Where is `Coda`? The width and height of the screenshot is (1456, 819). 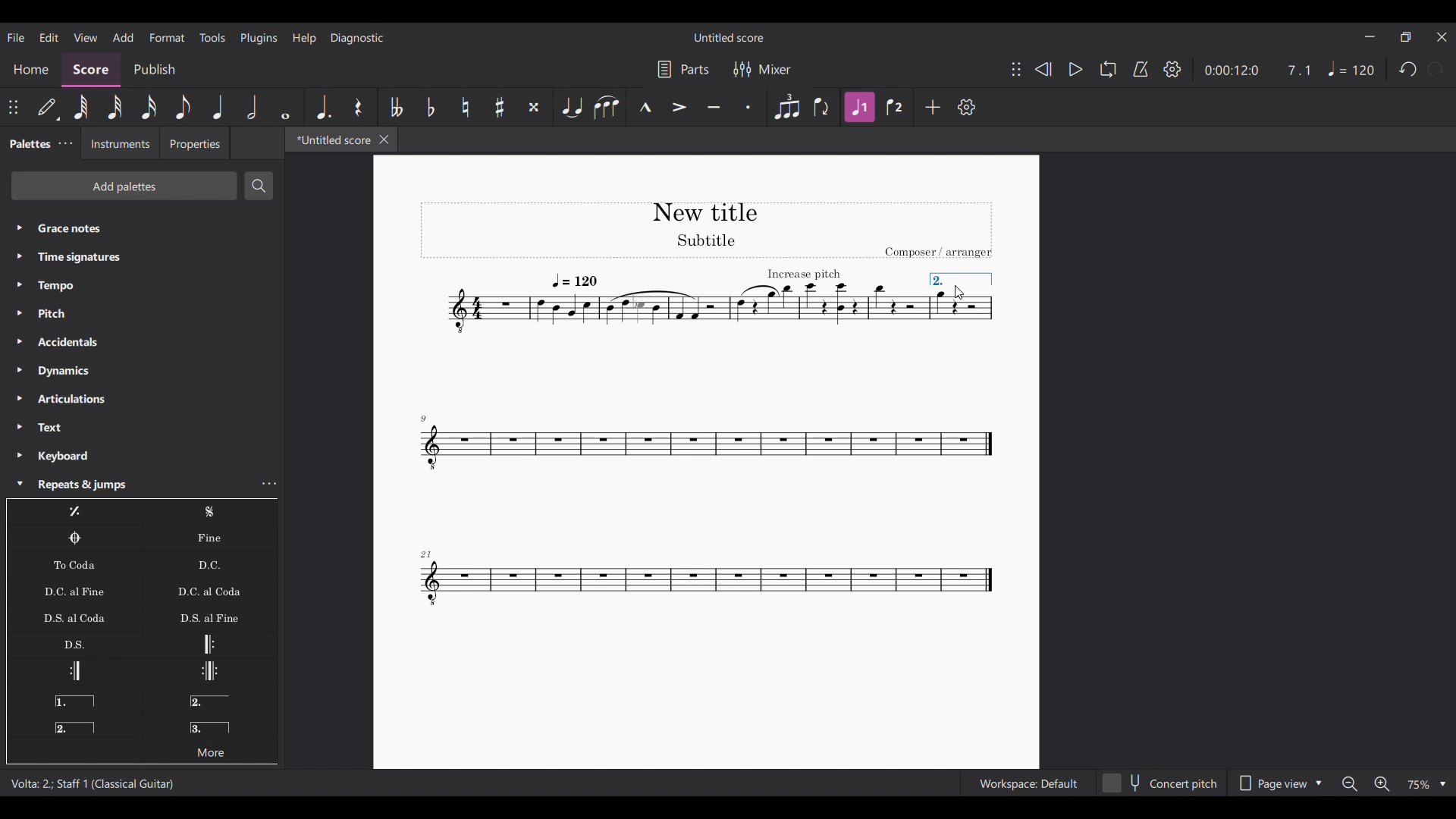
Coda is located at coordinates (74, 538).